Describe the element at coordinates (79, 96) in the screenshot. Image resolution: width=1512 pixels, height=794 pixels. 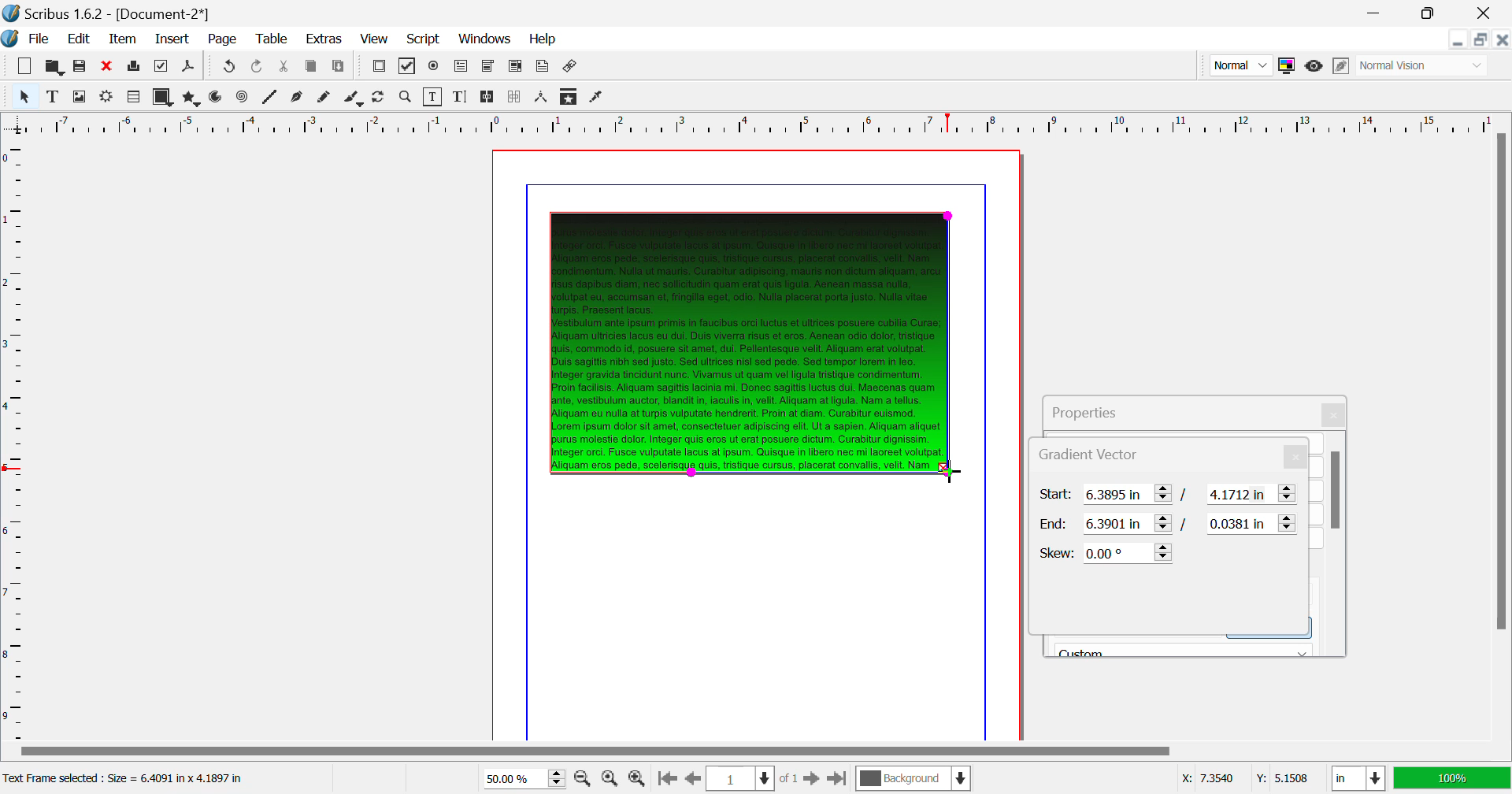
I see `Image Frame` at that location.